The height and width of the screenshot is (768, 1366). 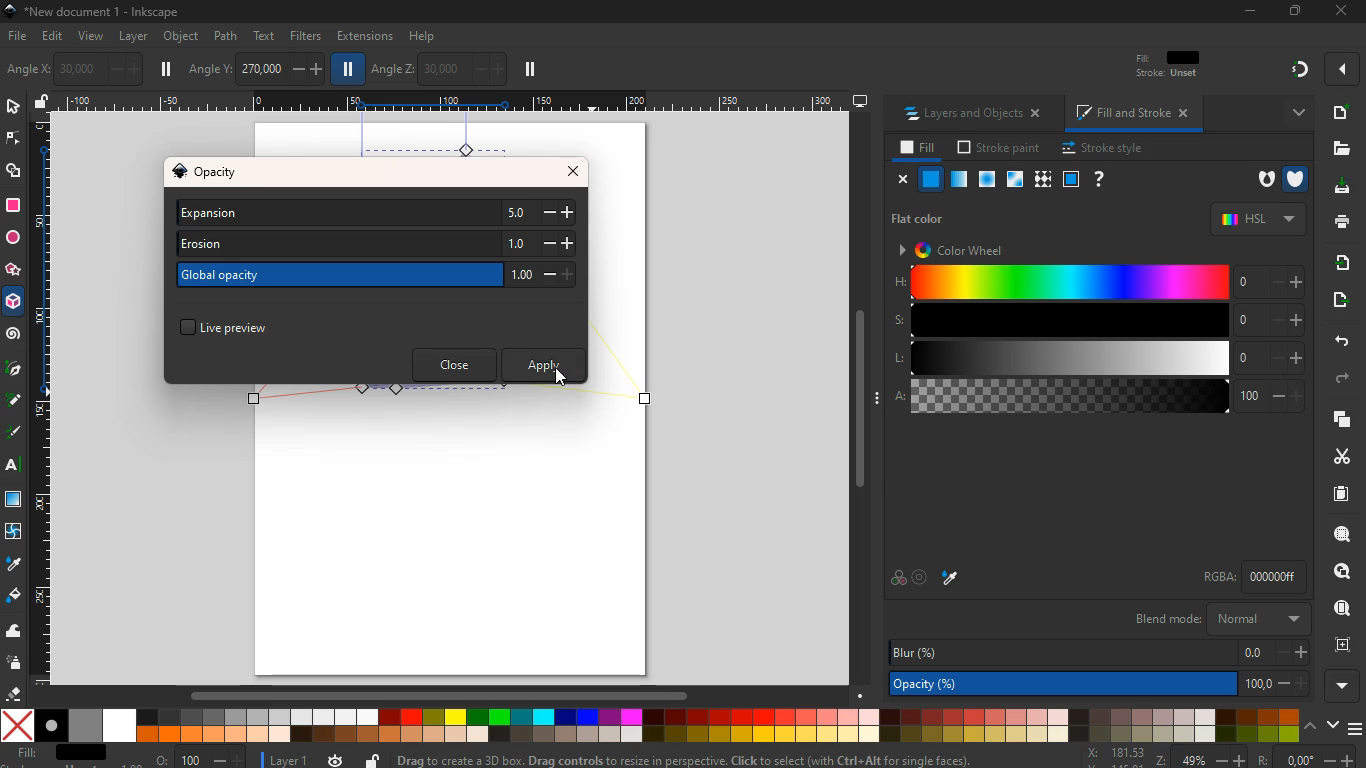 I want to click on color, so click(x=897, y=580).